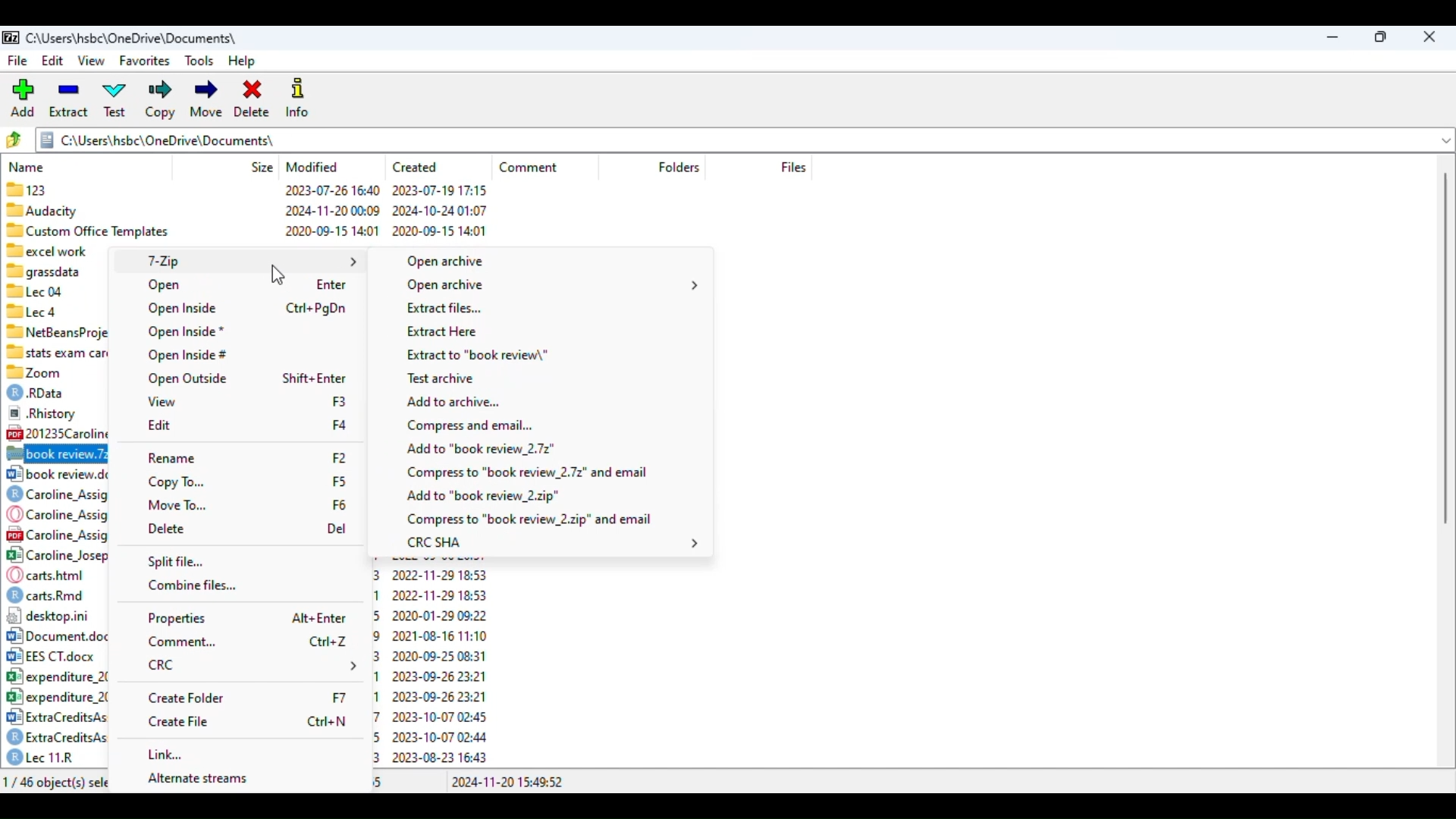 This screenshot has height=819, width=1456. Describe the element at coordinates (13, 140) in the screenshot. I see `browse folders` at that location.